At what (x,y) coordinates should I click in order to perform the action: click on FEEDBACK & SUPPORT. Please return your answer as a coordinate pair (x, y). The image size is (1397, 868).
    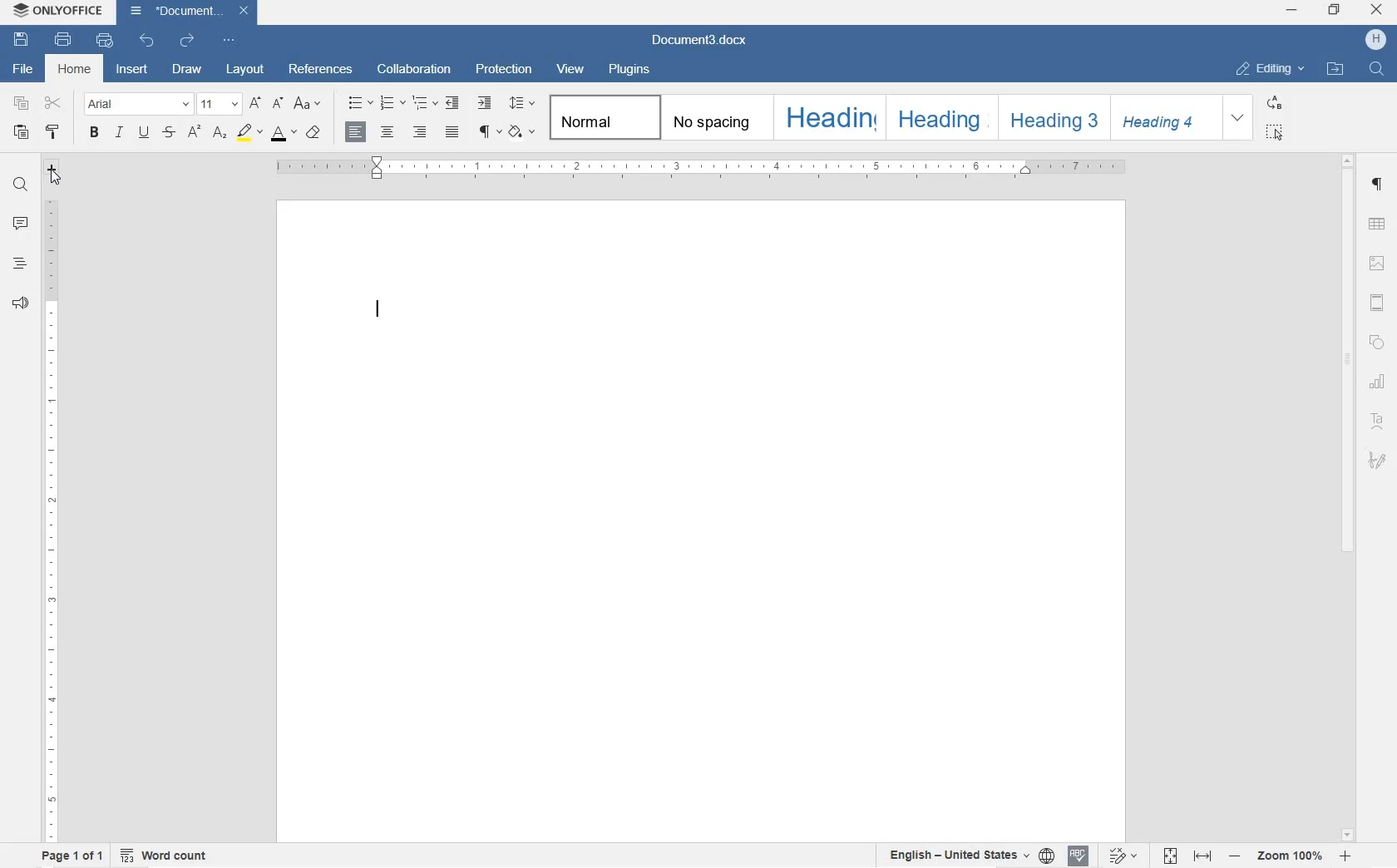
    Looking at the image, I should click on (21, 303).